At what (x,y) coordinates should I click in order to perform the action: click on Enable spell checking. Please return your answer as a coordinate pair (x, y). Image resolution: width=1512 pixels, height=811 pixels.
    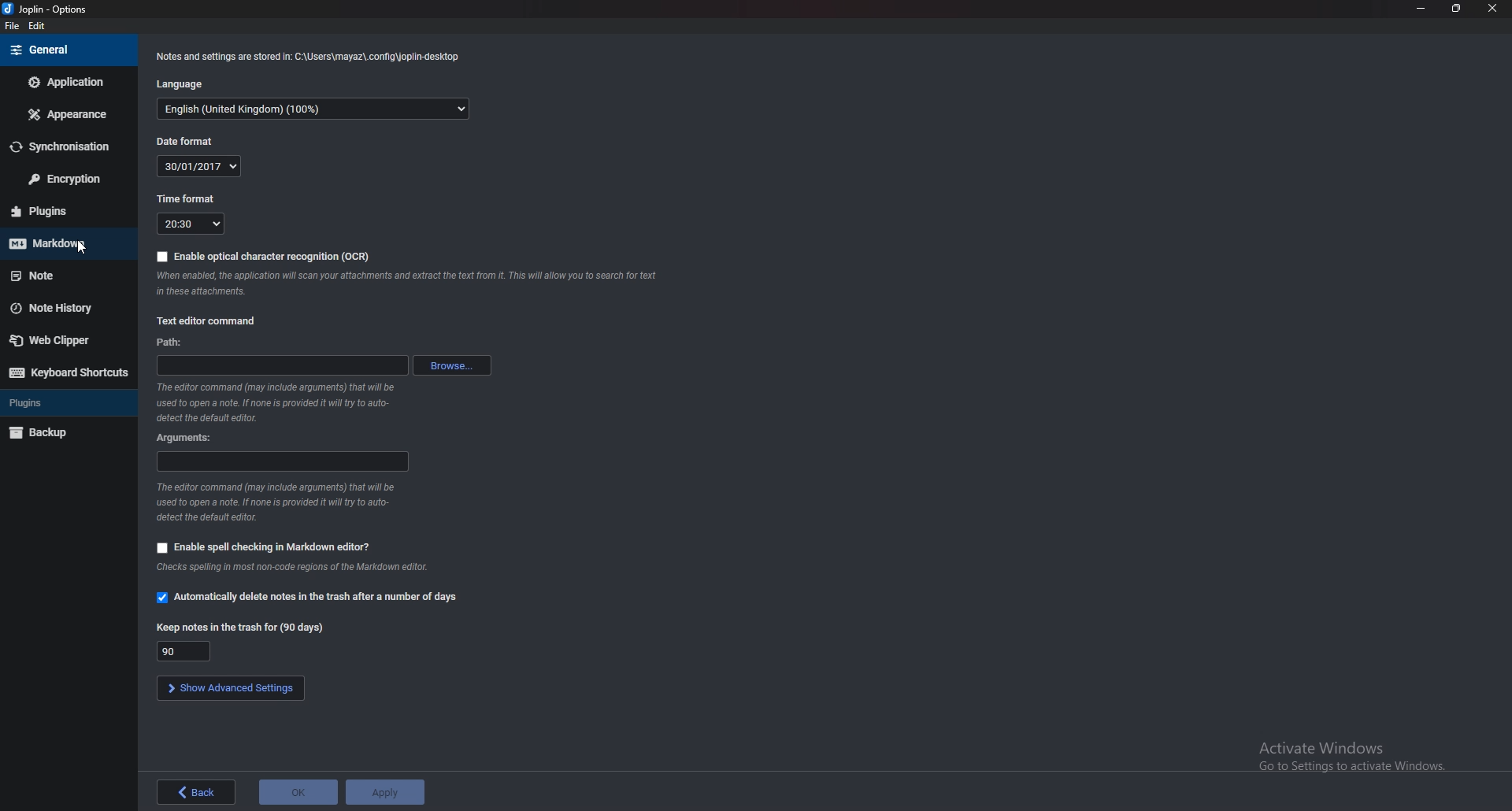
    Looking at the image, I should click on (262, 547).